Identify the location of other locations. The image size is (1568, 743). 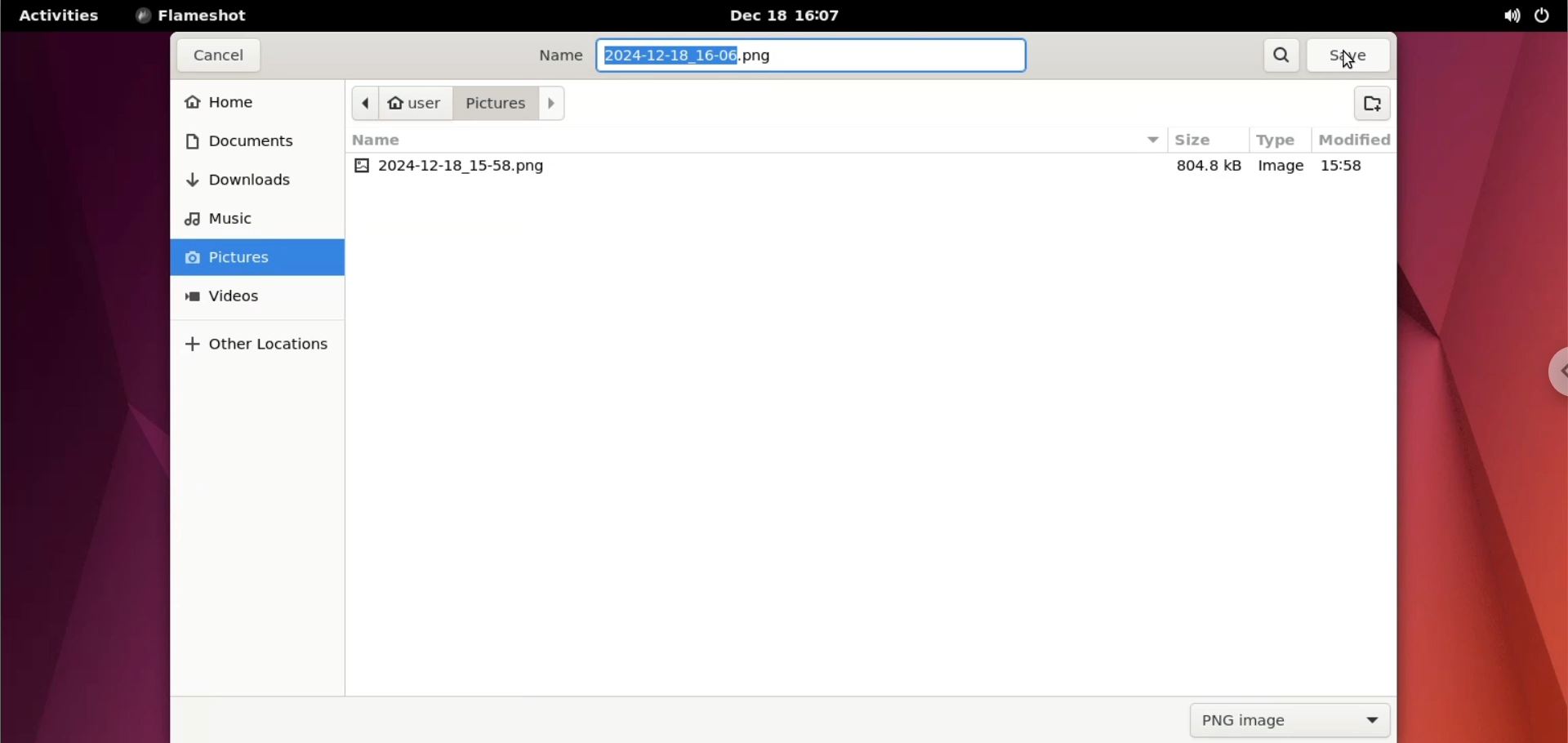
(258, 339).